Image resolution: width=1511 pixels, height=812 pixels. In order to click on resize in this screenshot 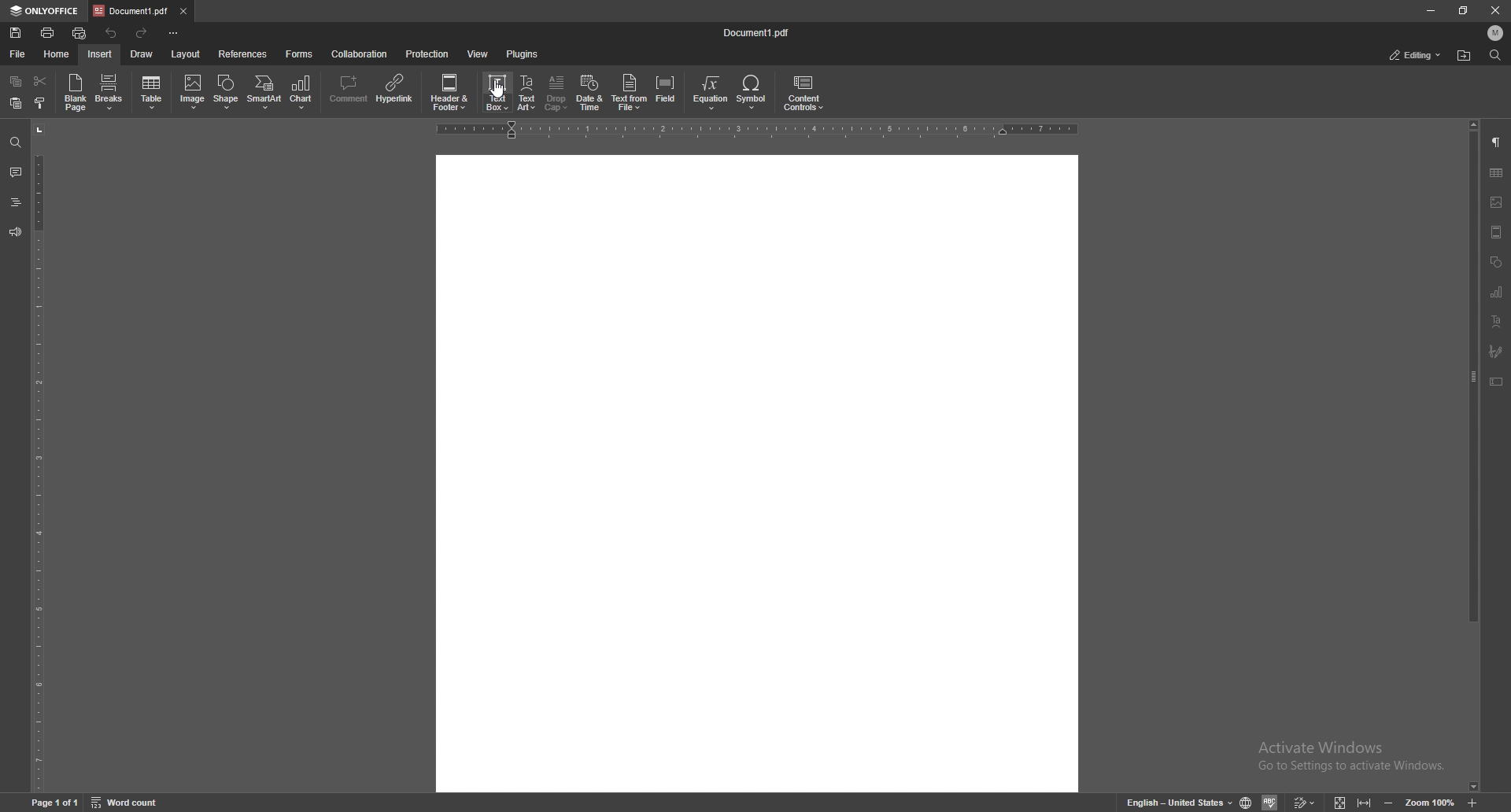, I will do `click(1462, 11)`.